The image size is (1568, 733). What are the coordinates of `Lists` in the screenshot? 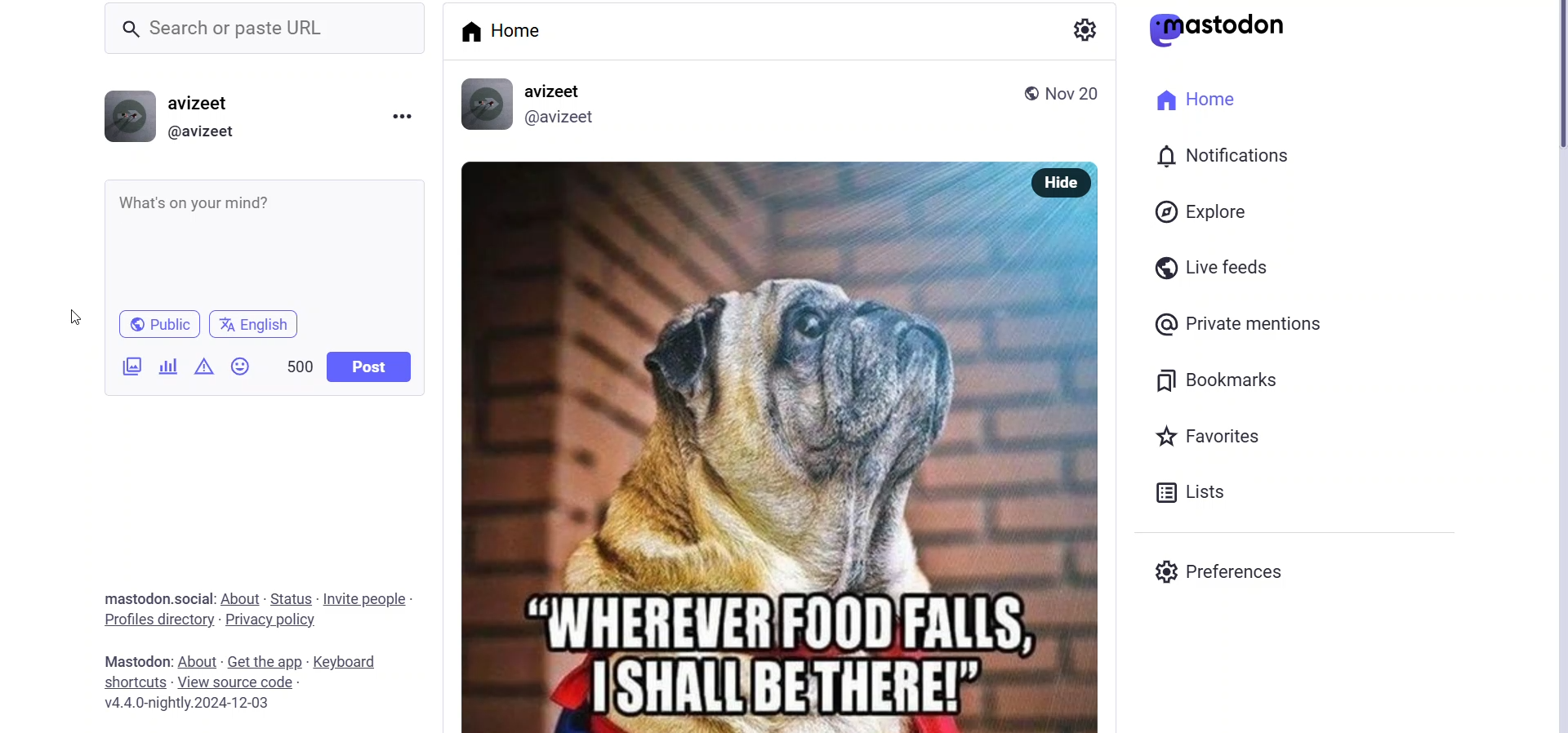 It's located at (1199, 493).